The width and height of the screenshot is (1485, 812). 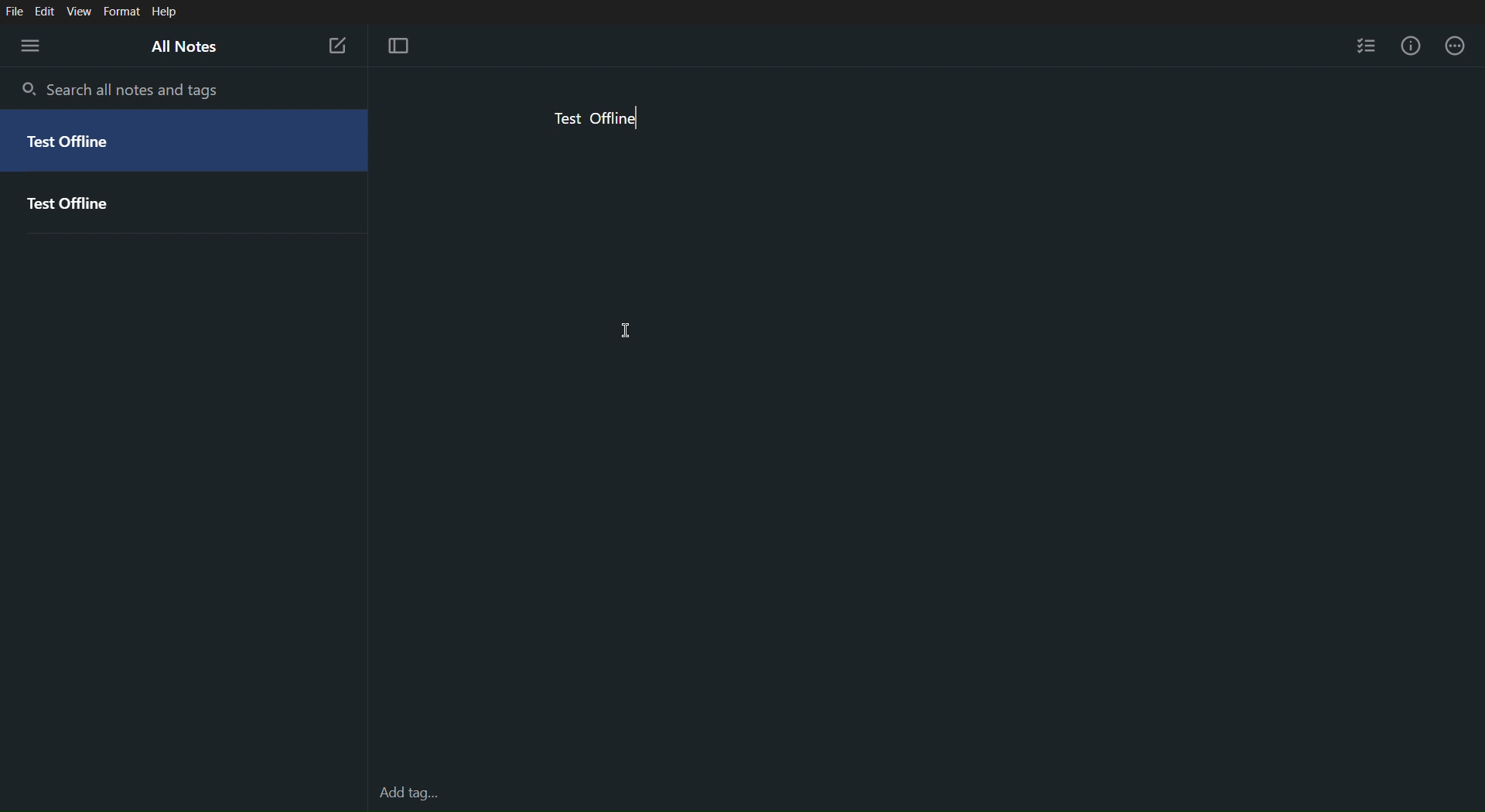 What do you see at coordinates (81, 10) in the screenshot?
I see `View` at bounding box center [81, 10].